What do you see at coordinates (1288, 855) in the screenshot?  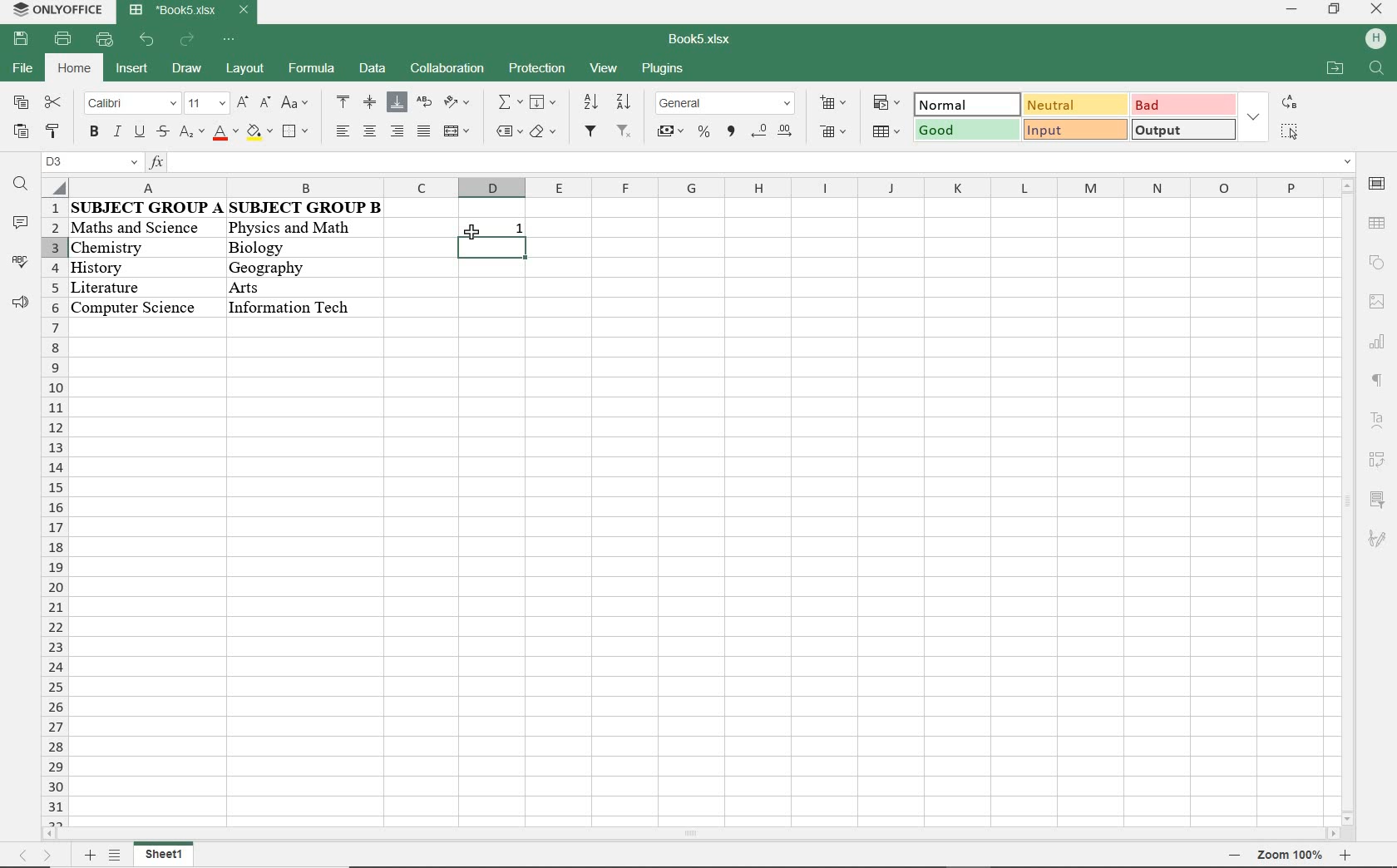 I see `tab` at bounding box center [1288, 855].